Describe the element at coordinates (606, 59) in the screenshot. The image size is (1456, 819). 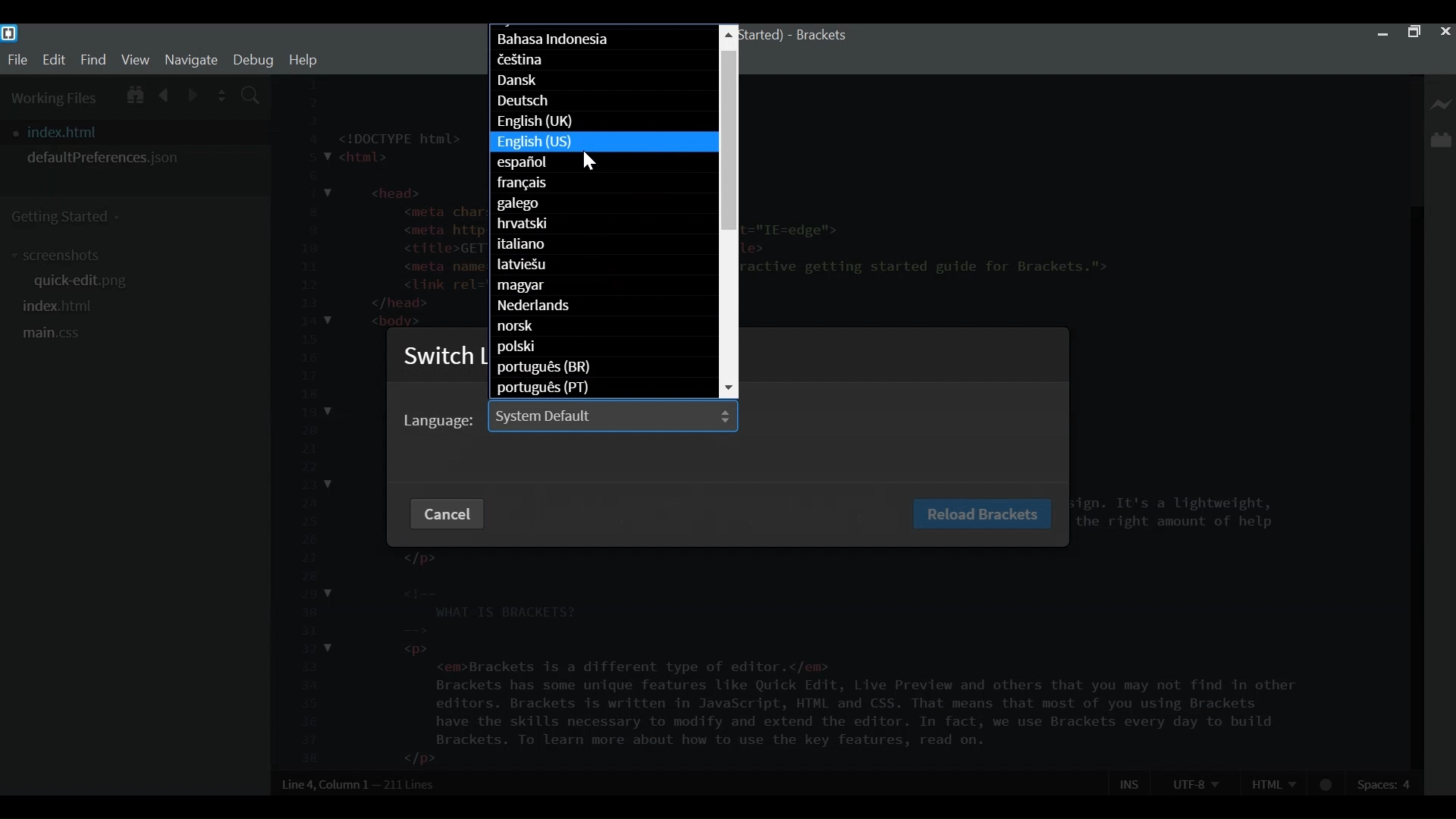
I see `čeština` at that location.